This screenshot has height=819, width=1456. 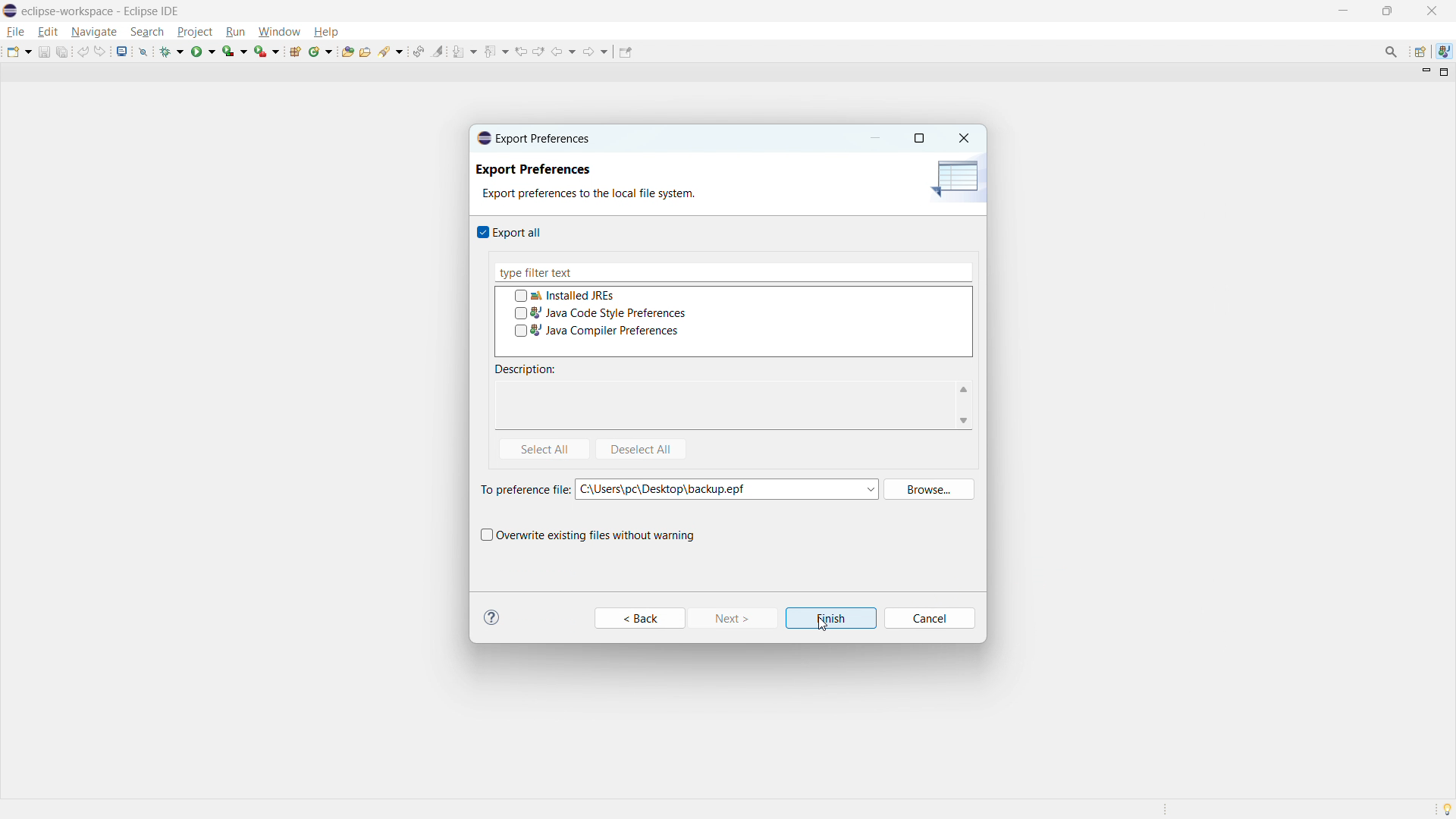 What do you see at coordinates (465, 52) in the screenshot?
I see `next annotation` at bounding box center [465, 52].